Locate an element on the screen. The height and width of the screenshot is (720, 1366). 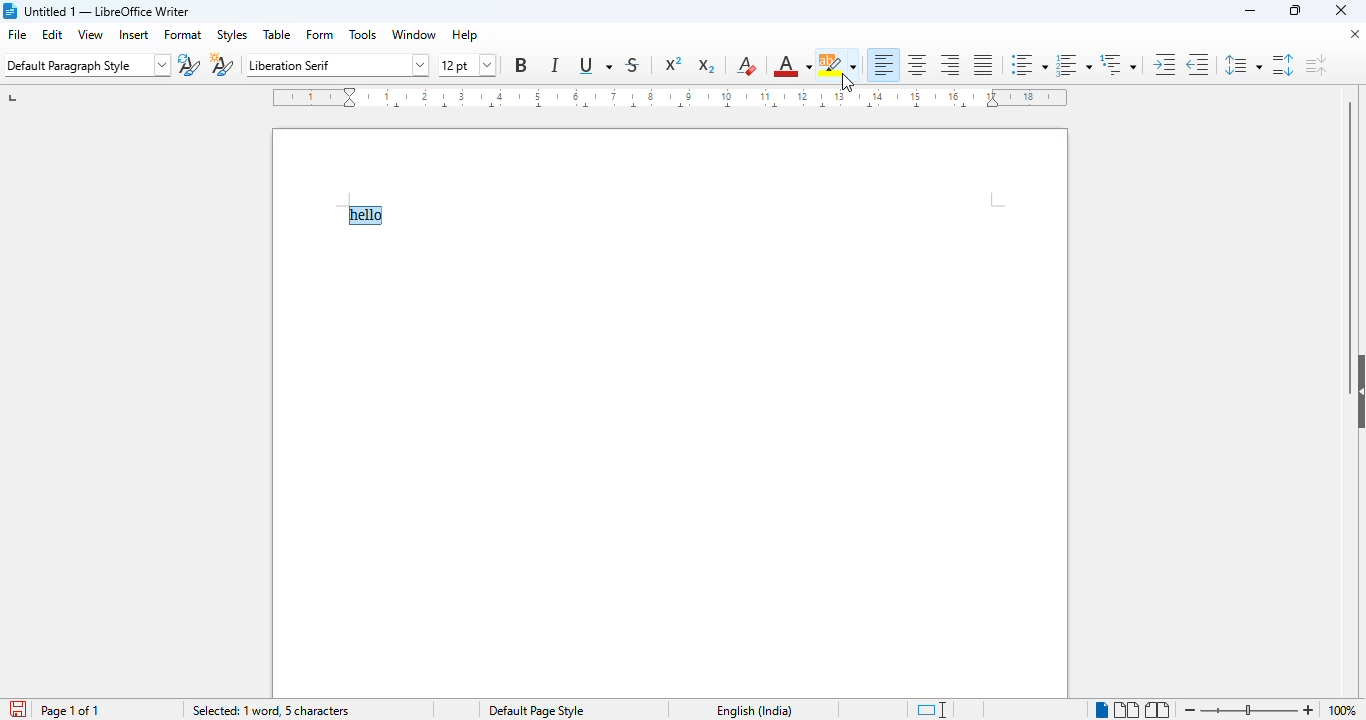
zoom factor is located at coordinates (1343, 710).